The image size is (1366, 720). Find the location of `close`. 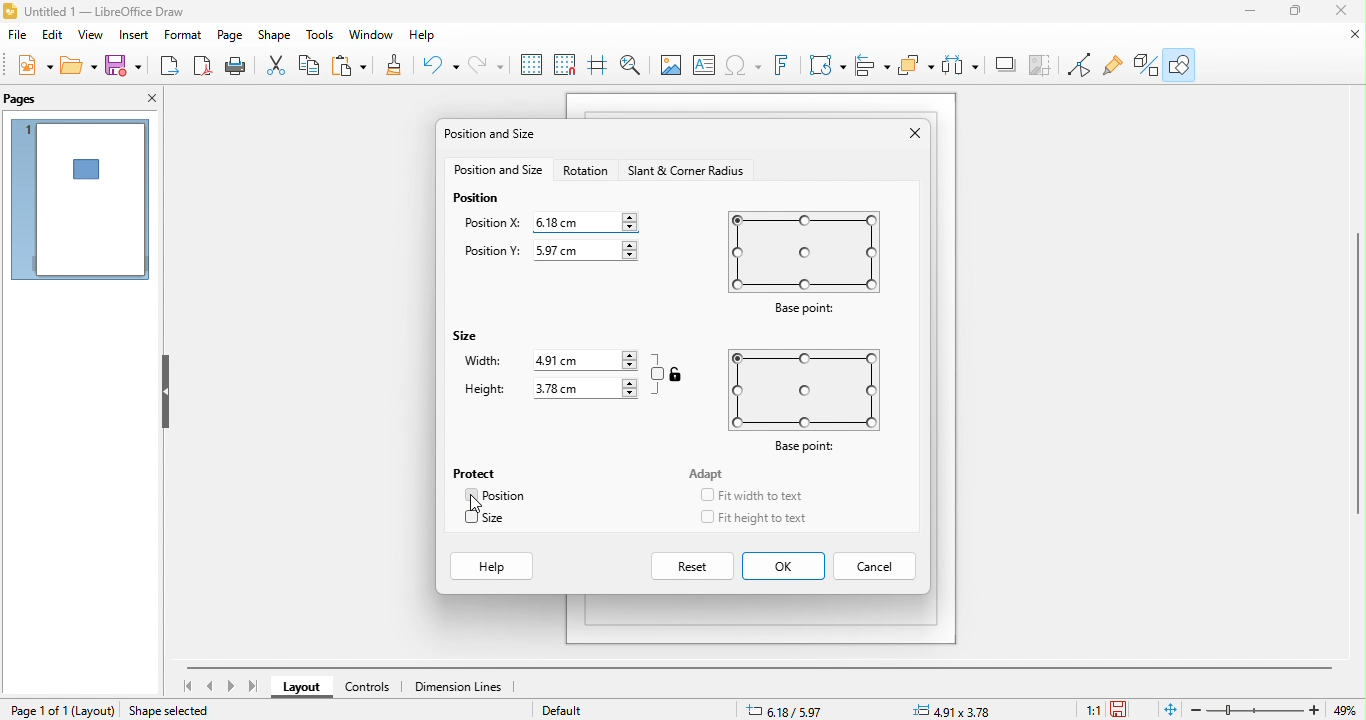

close is located at coordinates (1340, 10).